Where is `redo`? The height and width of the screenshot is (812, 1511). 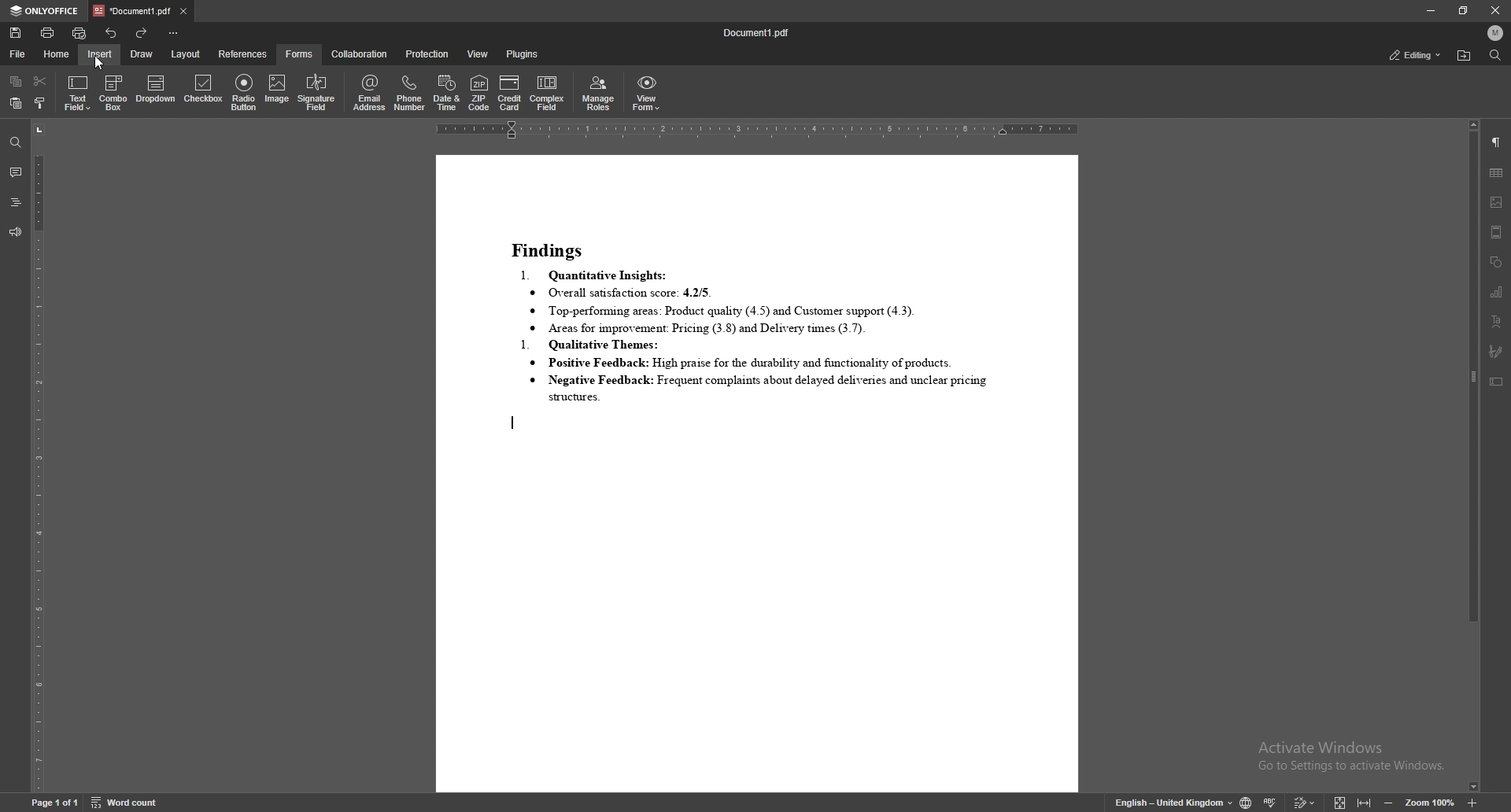 redo is located at coordinates (143, 32).